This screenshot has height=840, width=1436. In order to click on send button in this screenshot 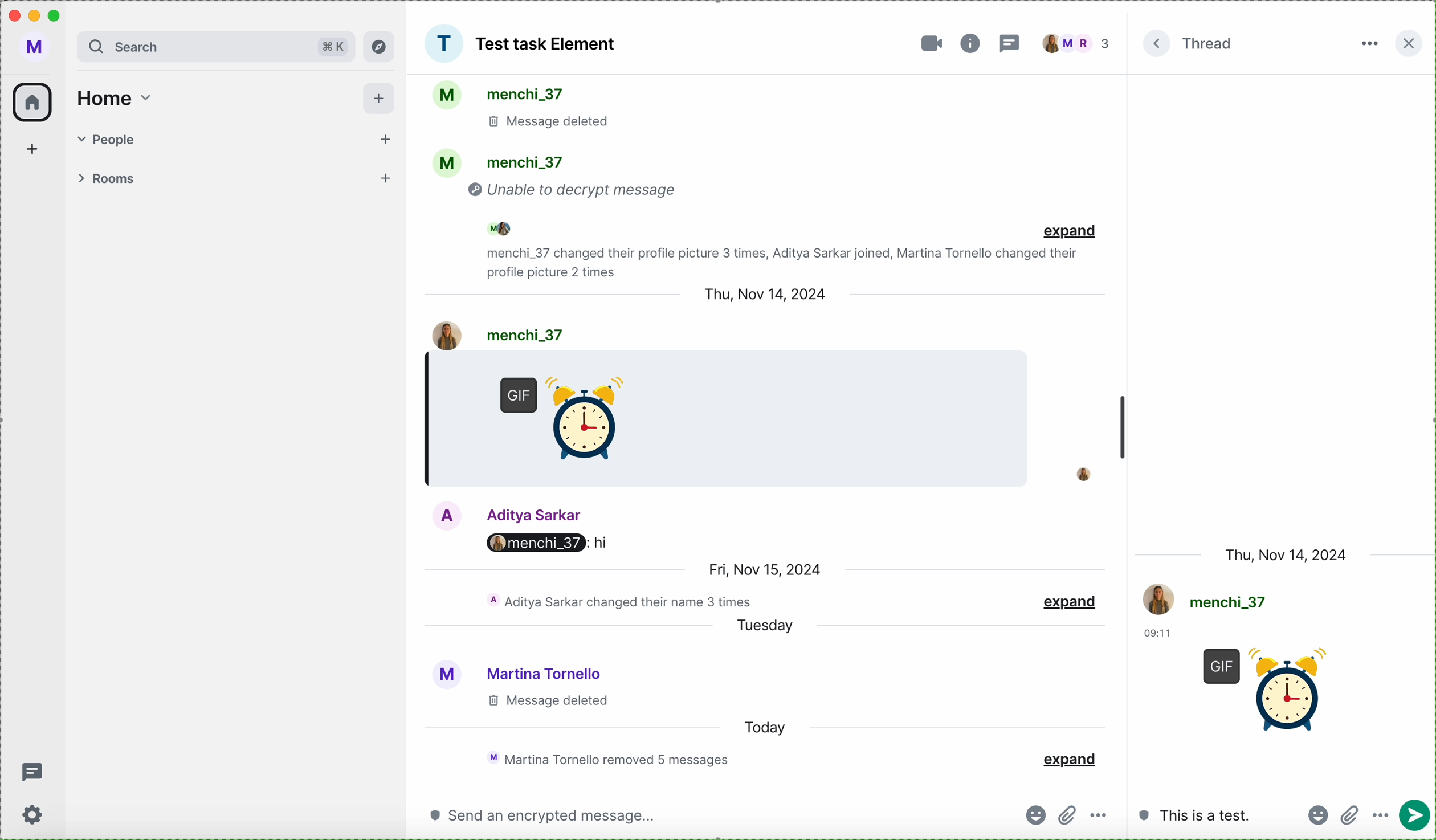, I will do `click(1350, 817)`.